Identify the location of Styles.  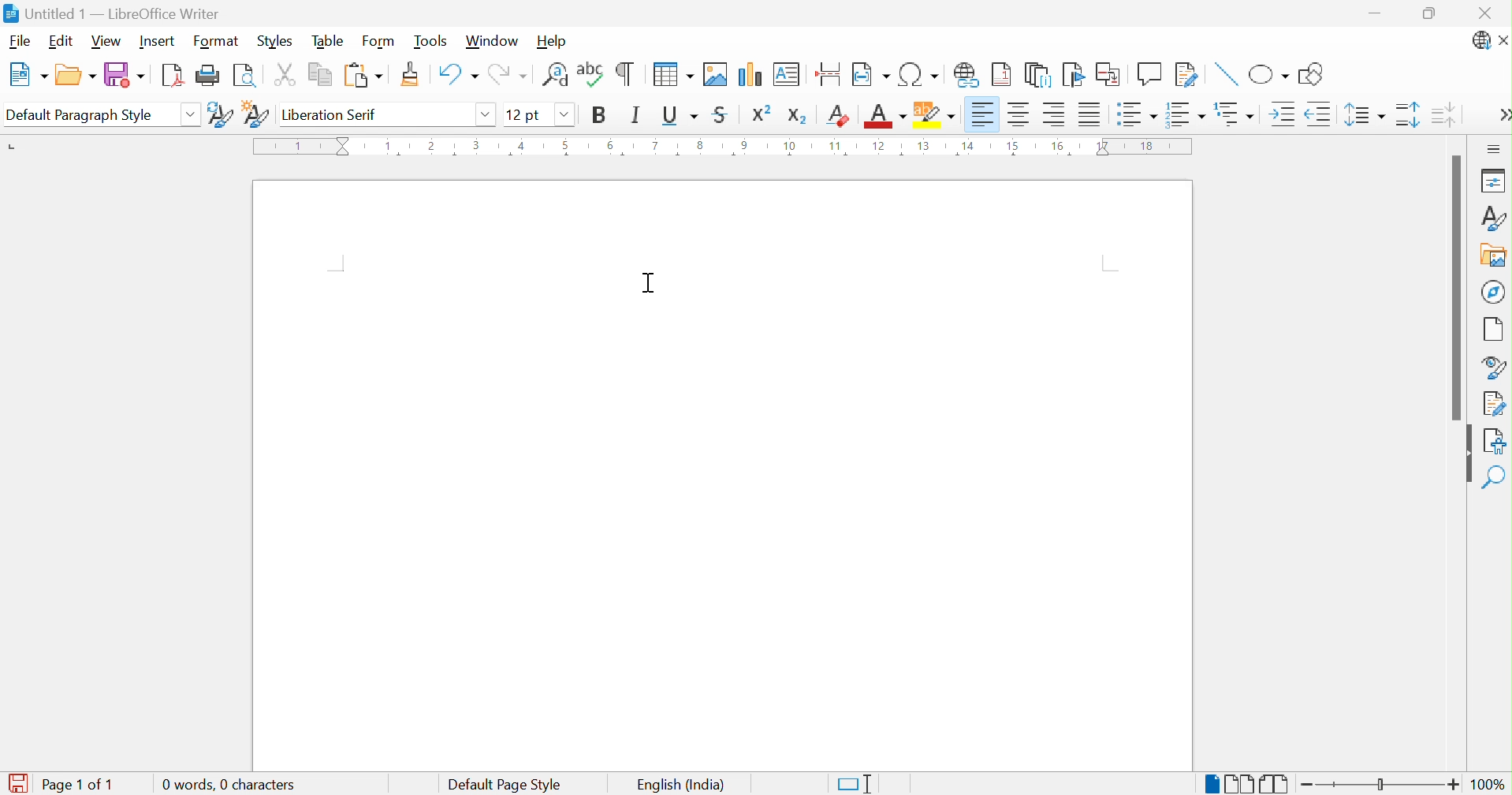
(275, 39).